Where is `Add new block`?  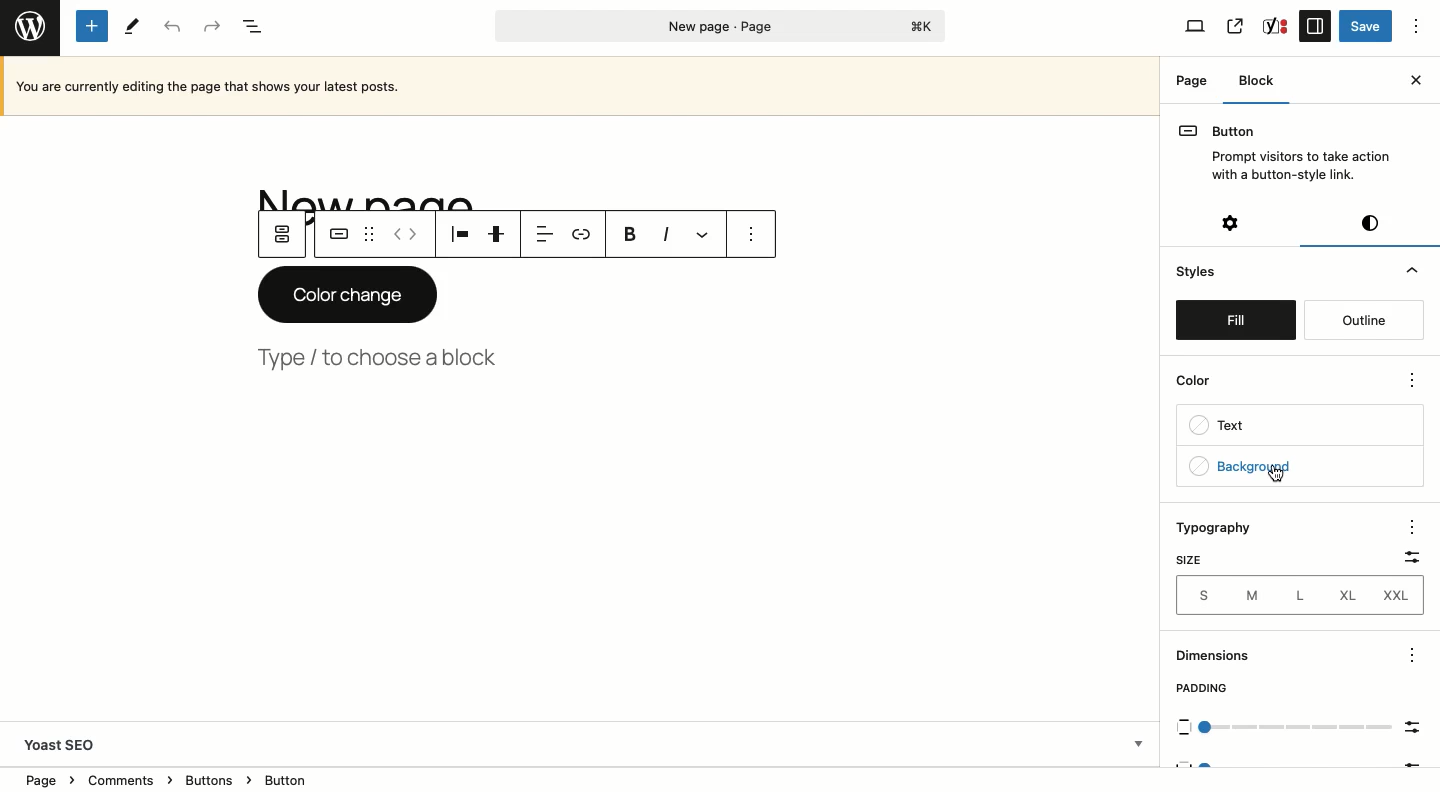 Add new block is located at coordinates (95, 27).